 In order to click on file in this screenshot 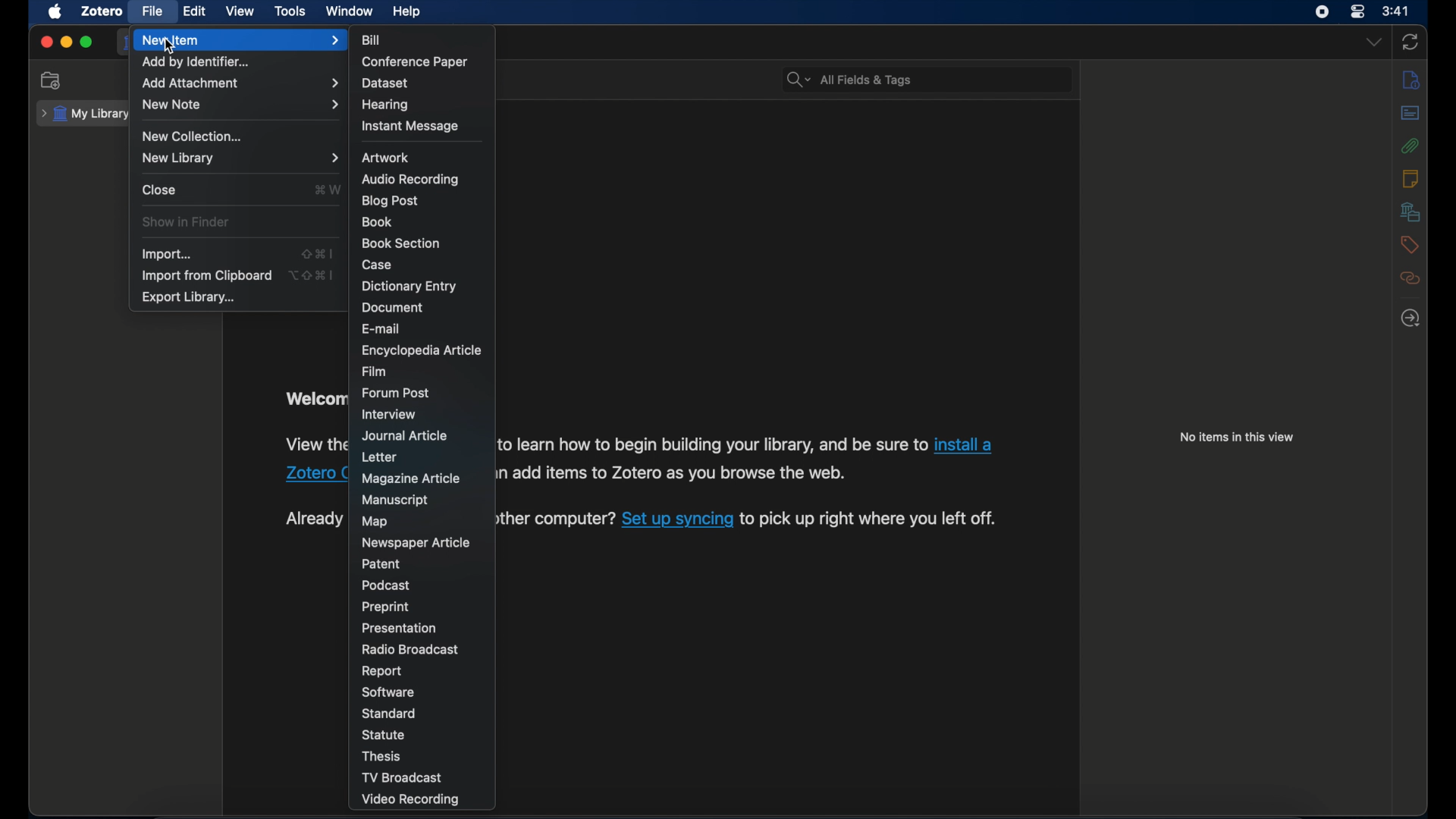, I will do `click(153, 11)`.